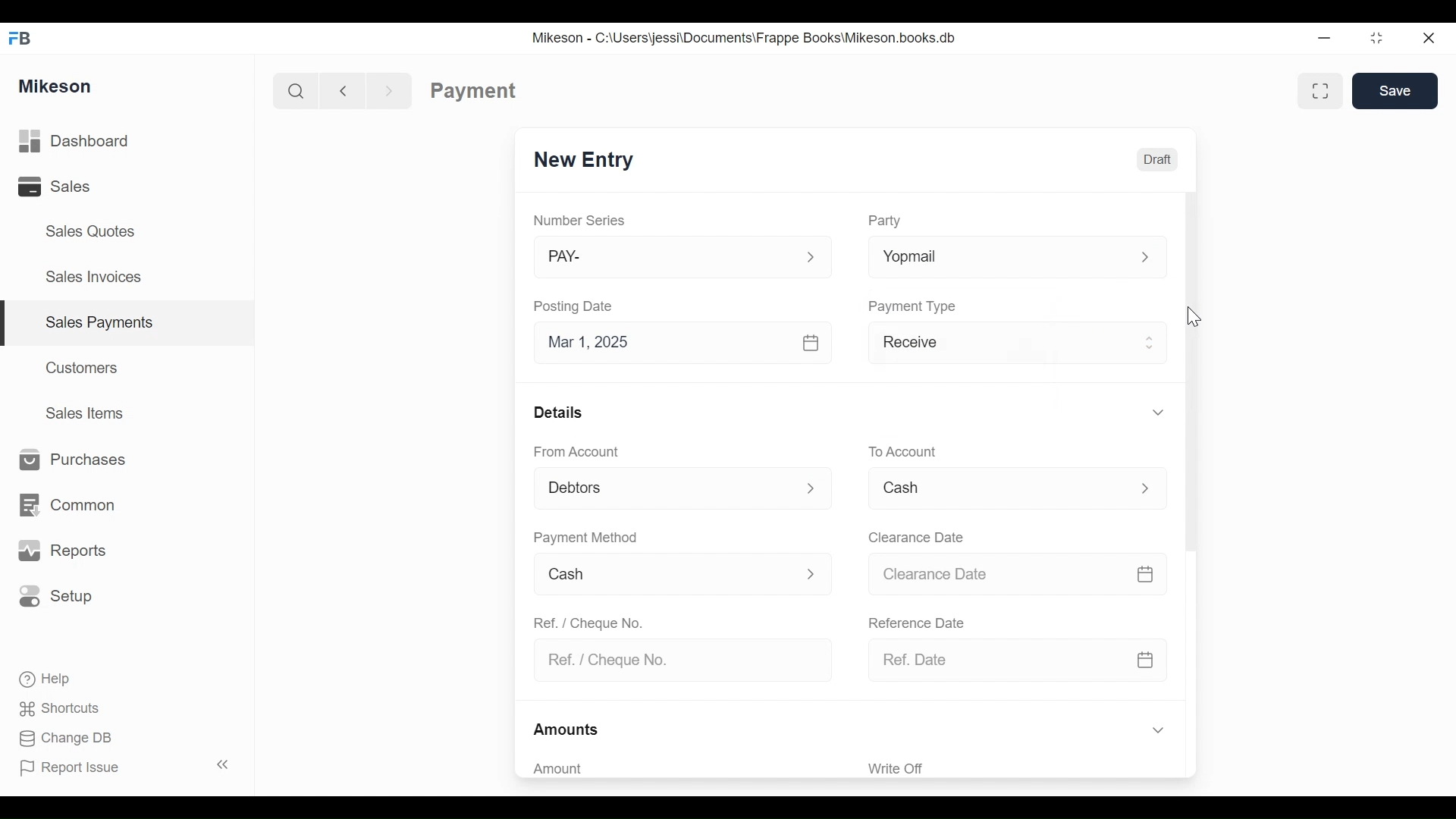 The height and width of the screenshot is (819, 1456). Describe the element at coordinates (1018, 657) in the screenshot. I see `Ref. Date` at that location.